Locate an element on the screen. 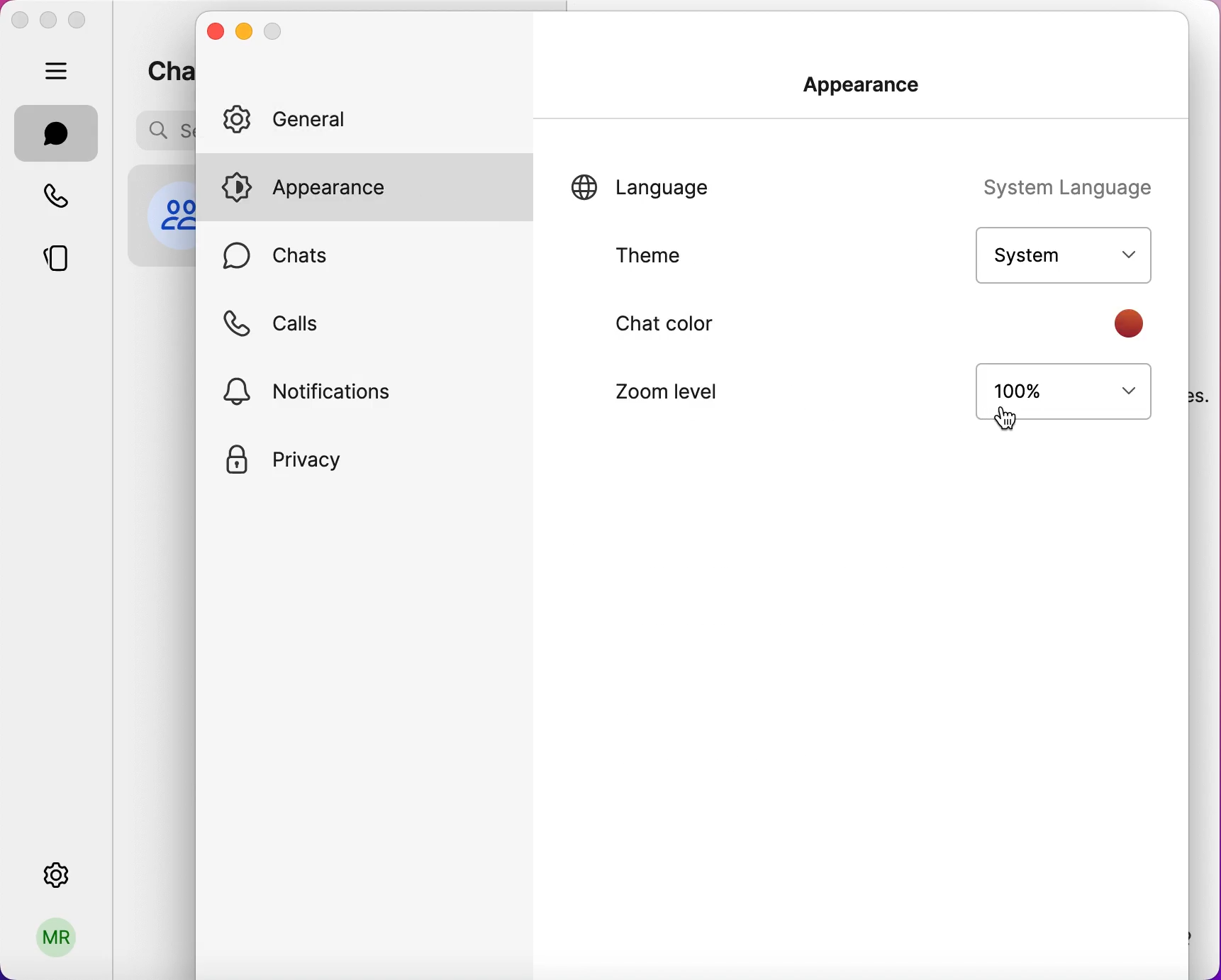 The image size is (1221, 980). chats is located at coordinates (291, 257).